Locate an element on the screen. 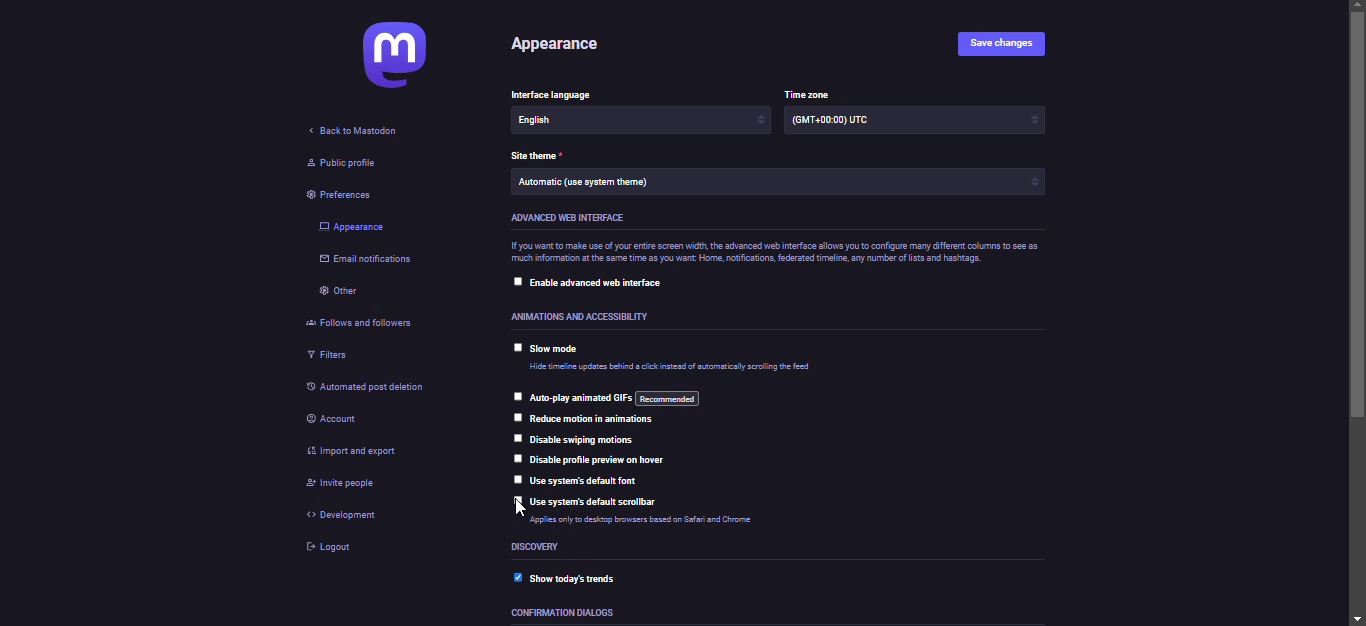  follows and followers is located at coordinates (372, 323).